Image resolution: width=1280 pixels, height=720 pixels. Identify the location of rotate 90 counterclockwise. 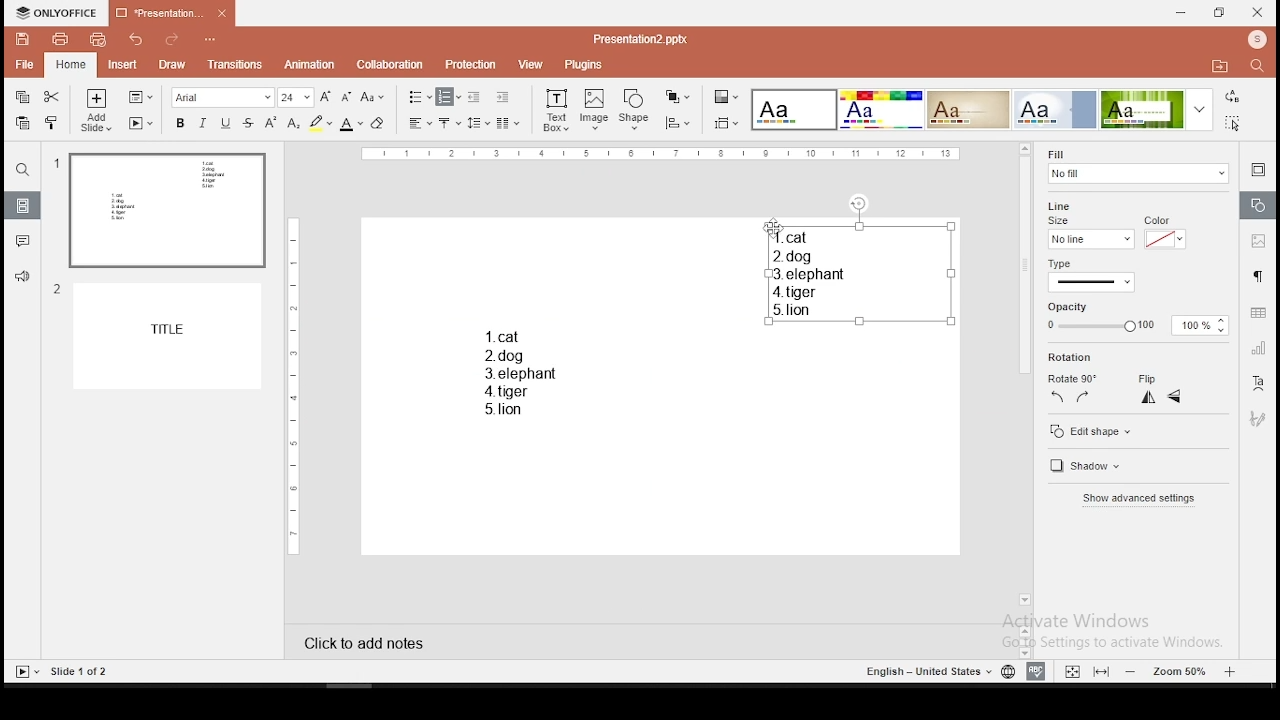
(1059, 398).